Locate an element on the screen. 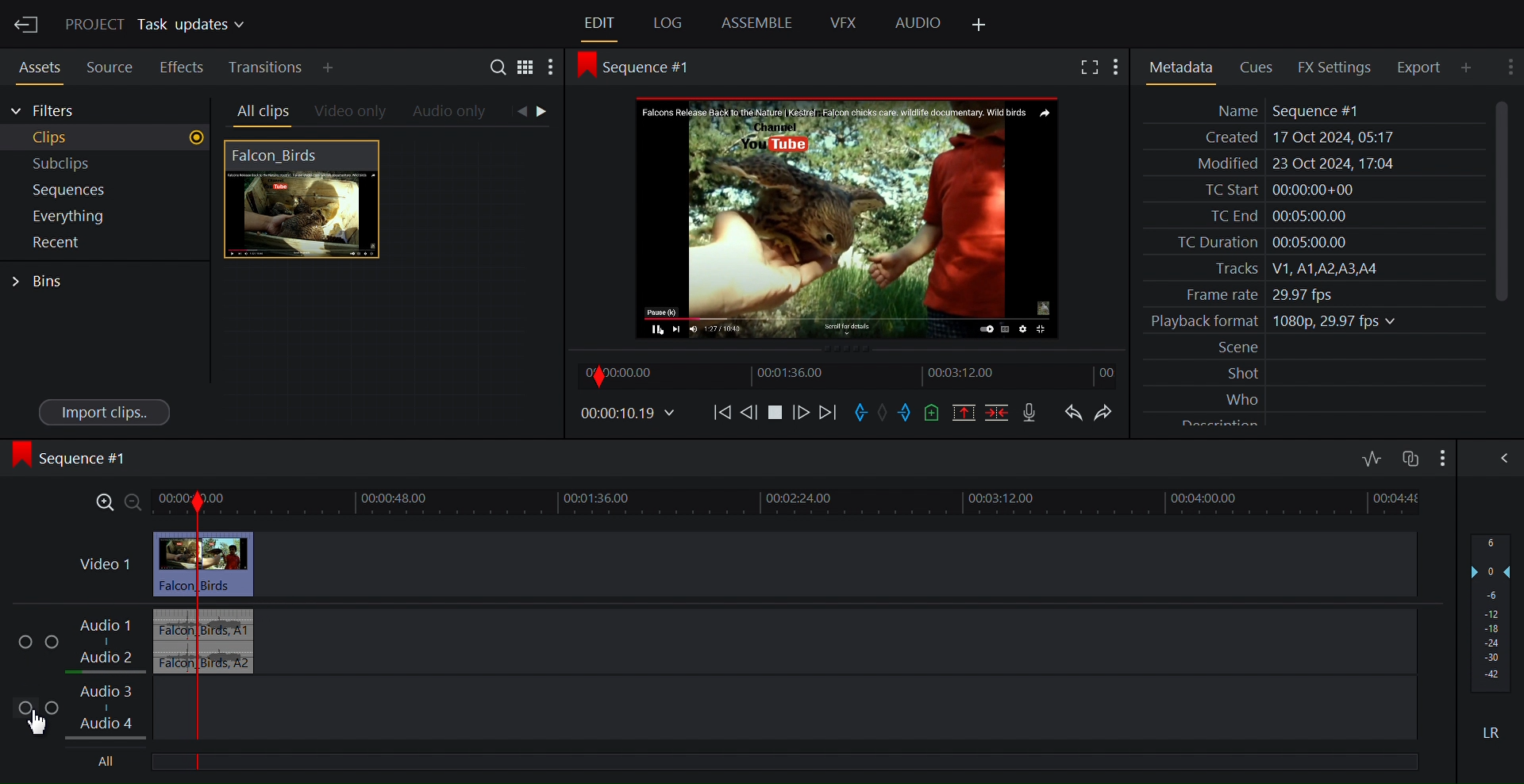  Solo this track is located at coordinates (53, 709).